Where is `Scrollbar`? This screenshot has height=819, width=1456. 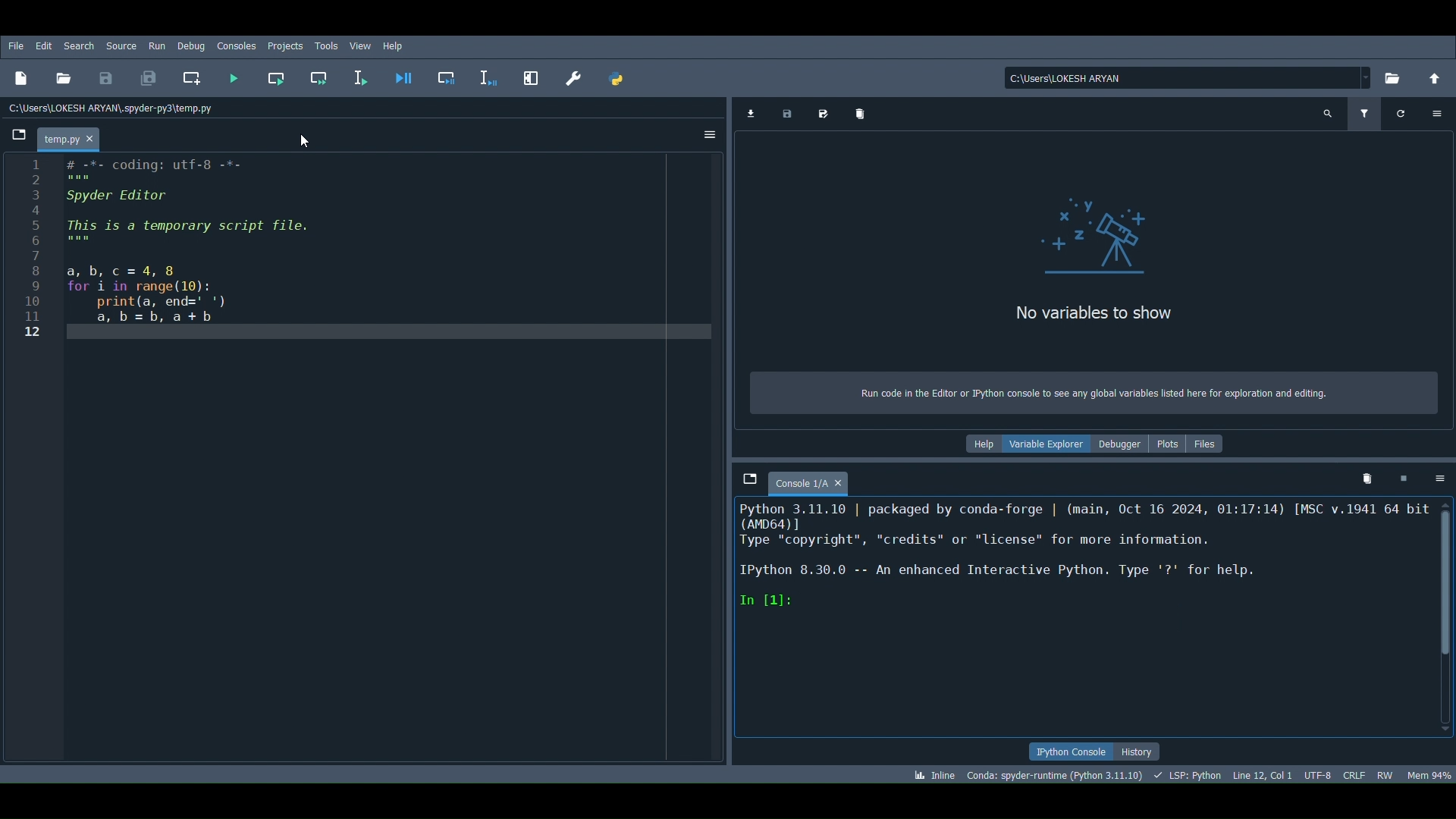
Scrollbar is located at coordinates (1446, 617).